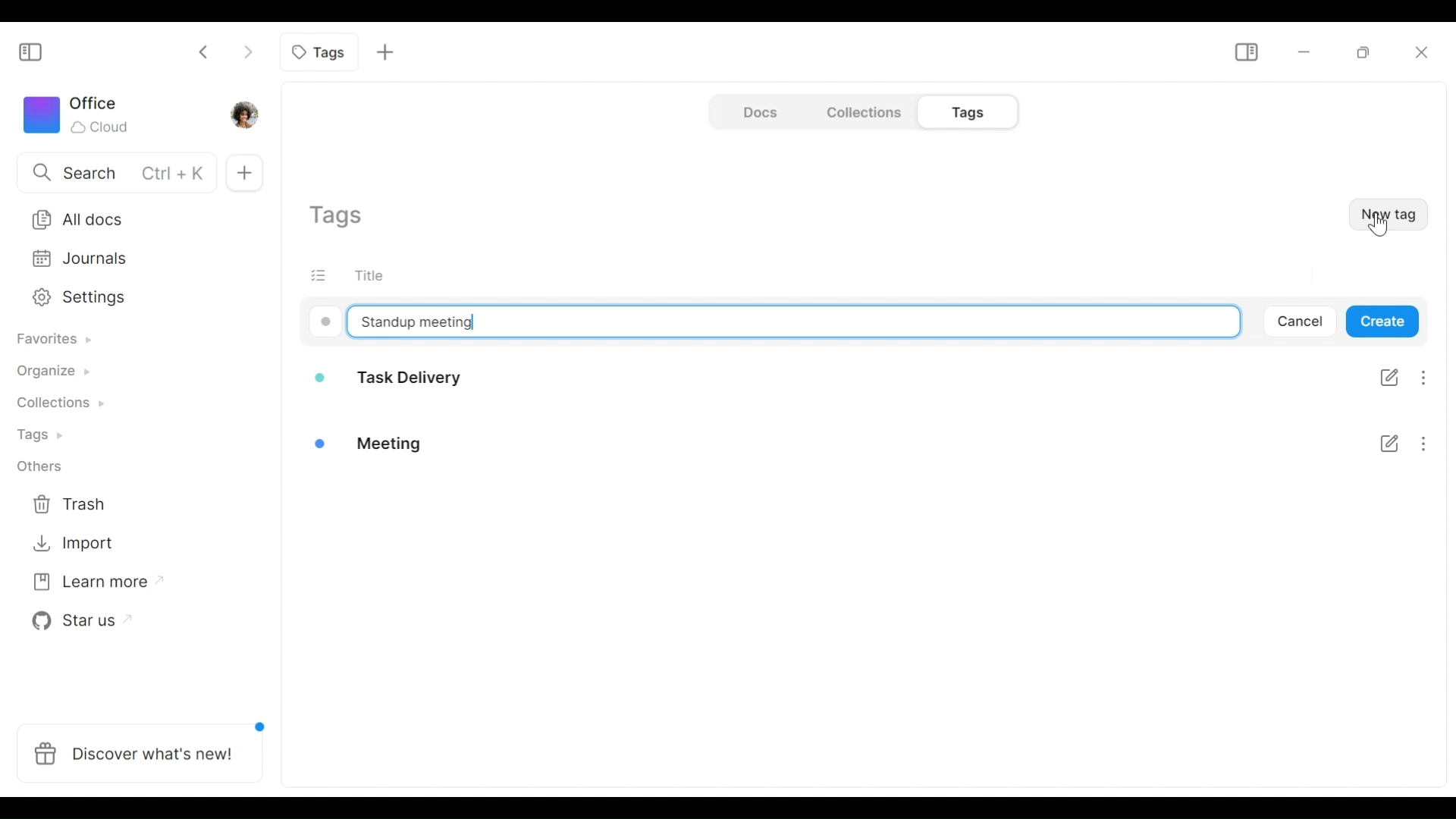 This screenshot has width=1456, height=819. What do you see at coordinates (340, 218) in the screenshot?
I see `Show current tags` at bounding box center [340, 218].